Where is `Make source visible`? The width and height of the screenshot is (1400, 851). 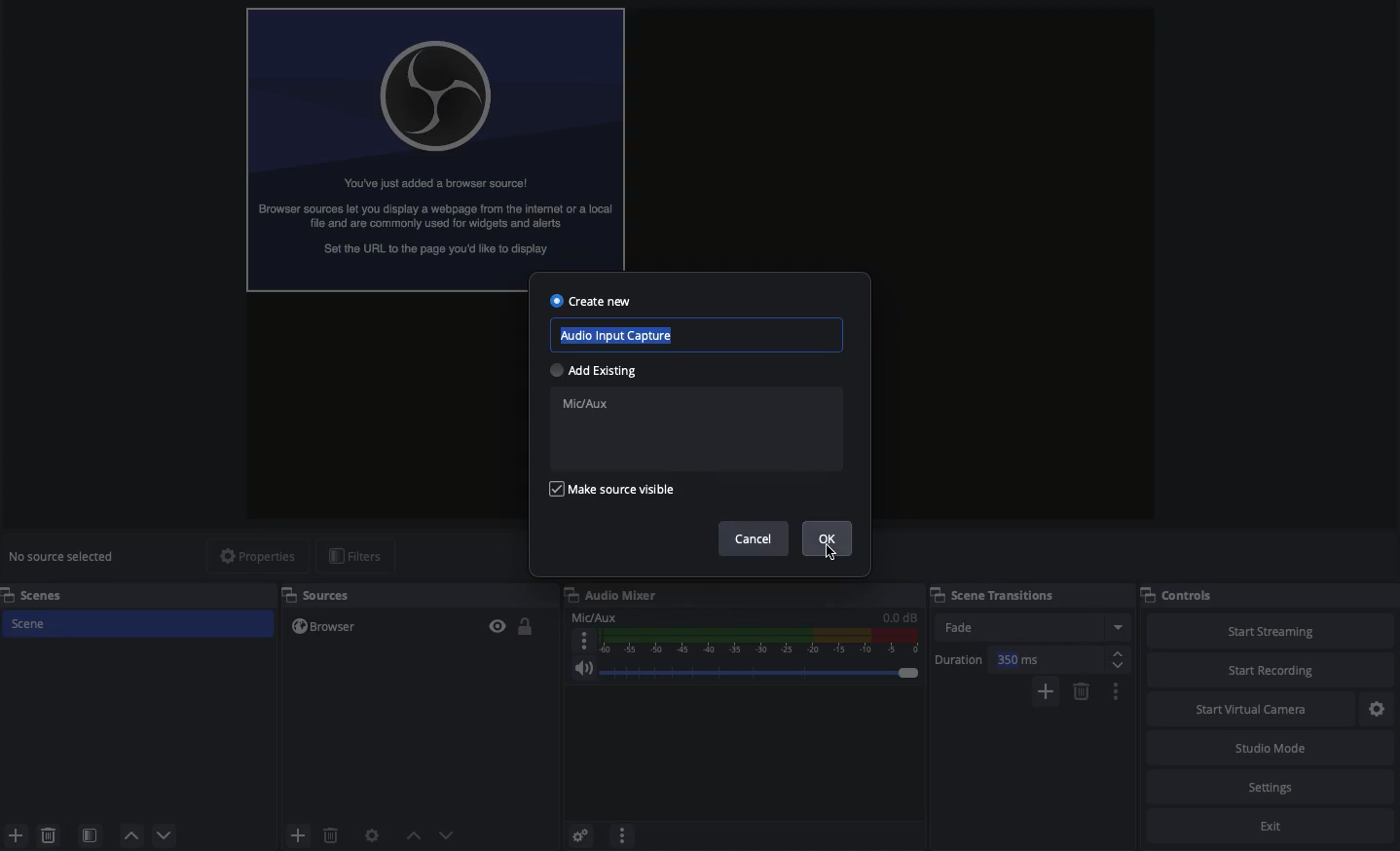 Make source visible is located at coordinates (611, 488).